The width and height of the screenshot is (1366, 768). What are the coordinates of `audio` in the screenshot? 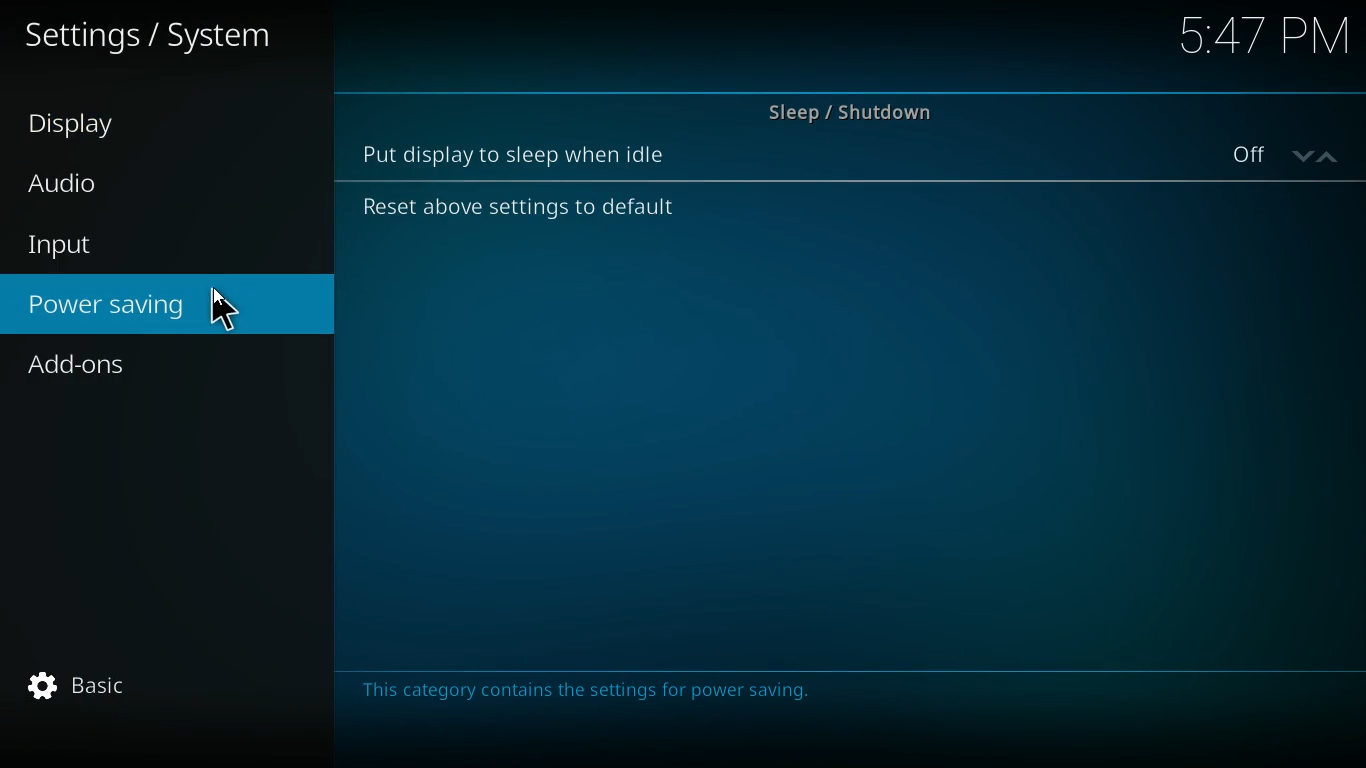 It's located at (114, 184).